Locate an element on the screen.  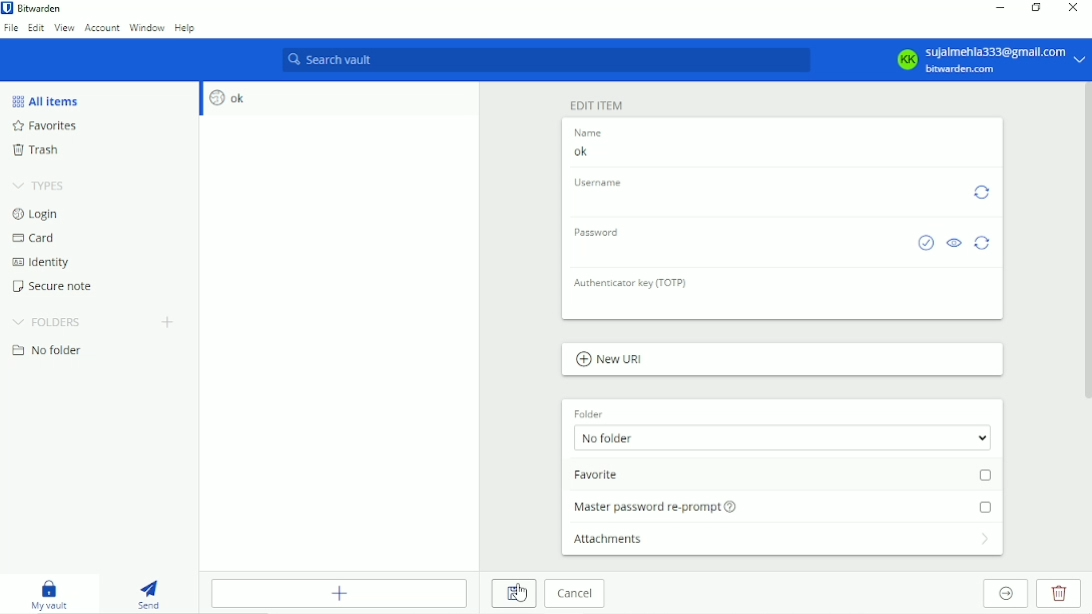
My vault is located at coordinates (53, 593).